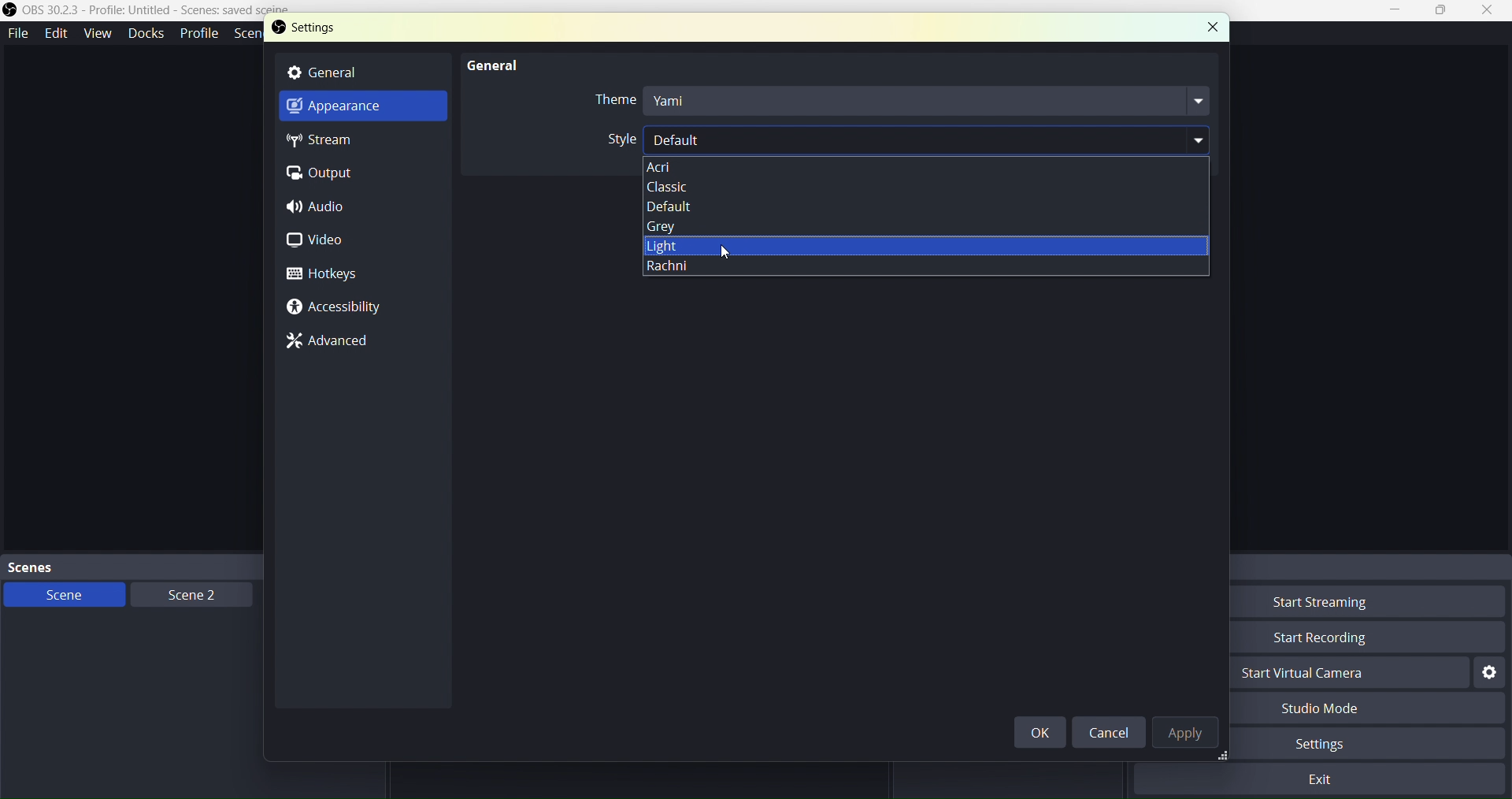 The width and height of the screenshot is (1512, 799). What do you see at coordinates (19, 31) in the screenshot?
I see `File` at bounding box center [19, 31].